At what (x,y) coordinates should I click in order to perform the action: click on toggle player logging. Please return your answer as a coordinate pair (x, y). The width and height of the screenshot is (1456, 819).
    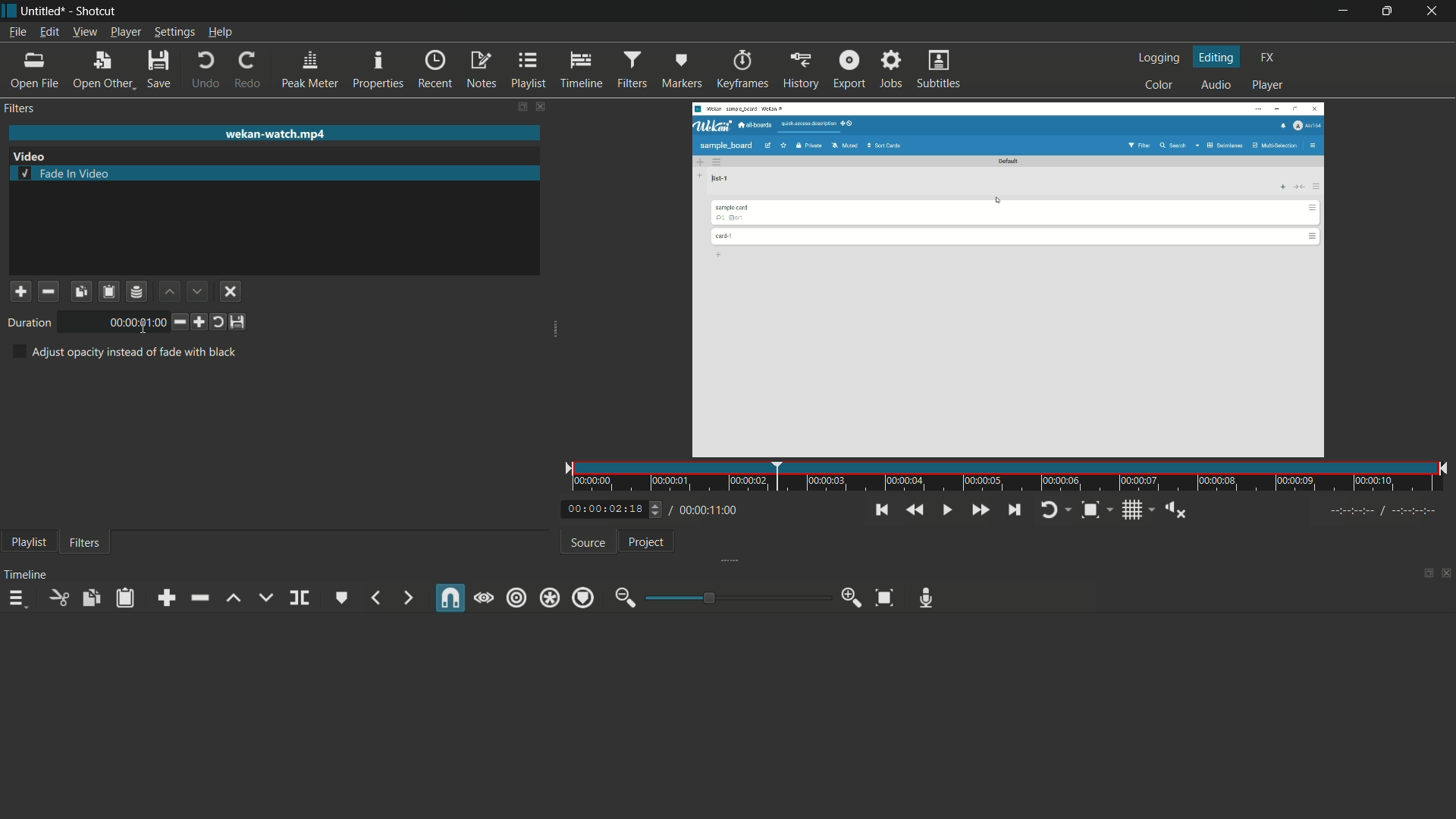
    Looking at the image, I should click on (1052, 510).